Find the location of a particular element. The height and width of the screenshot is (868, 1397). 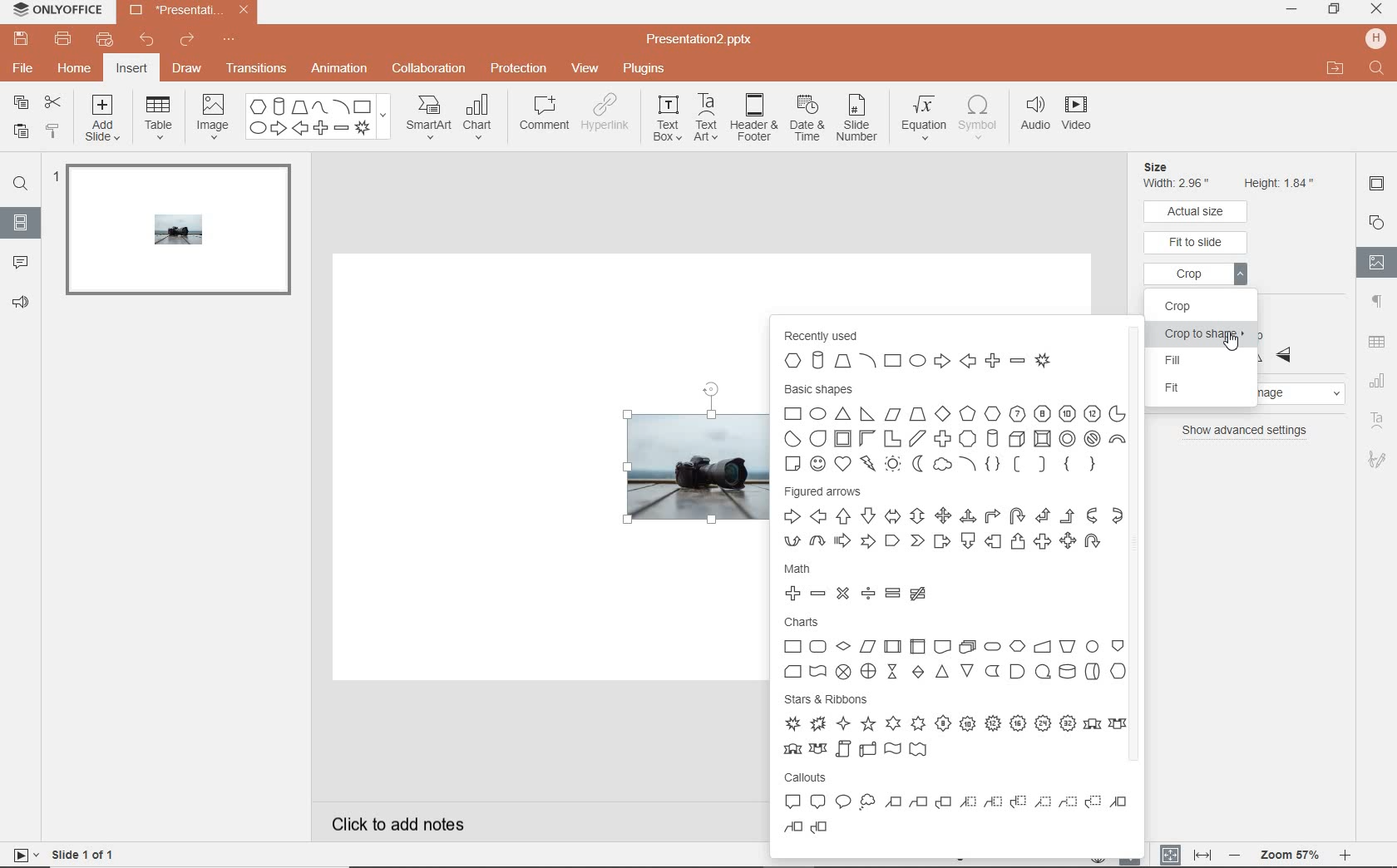

cursor is located at coordinates (1232, 341).